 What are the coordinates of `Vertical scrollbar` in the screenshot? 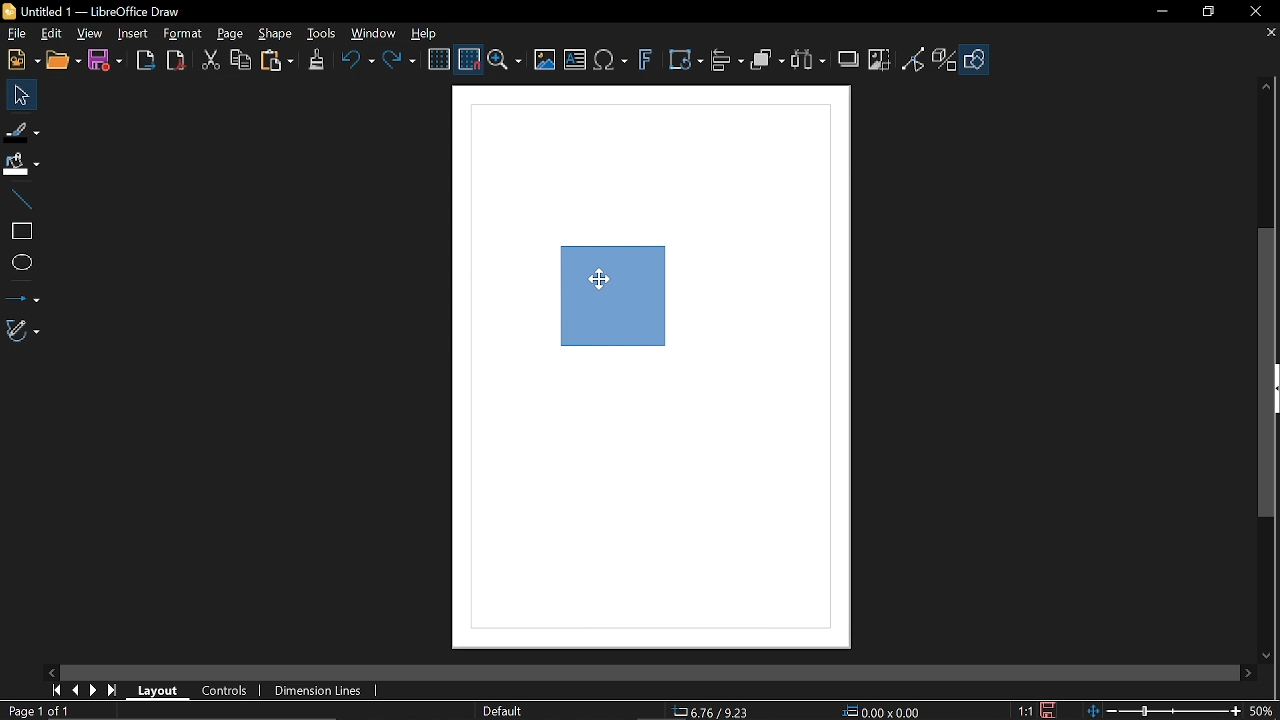 It's located at (1270, 375).